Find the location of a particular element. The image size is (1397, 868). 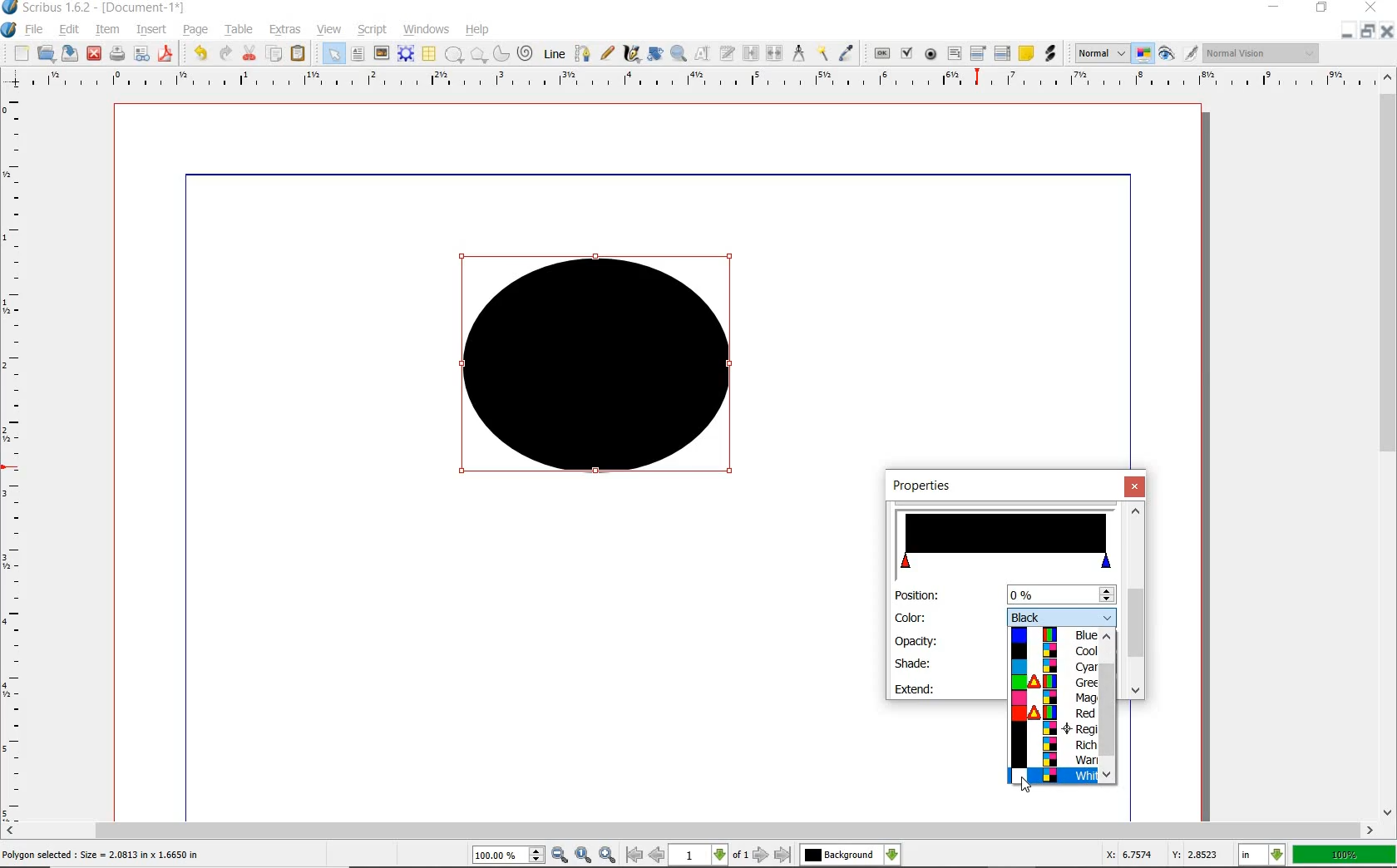

RENDER FRAME is located at coordinates (404, 53).